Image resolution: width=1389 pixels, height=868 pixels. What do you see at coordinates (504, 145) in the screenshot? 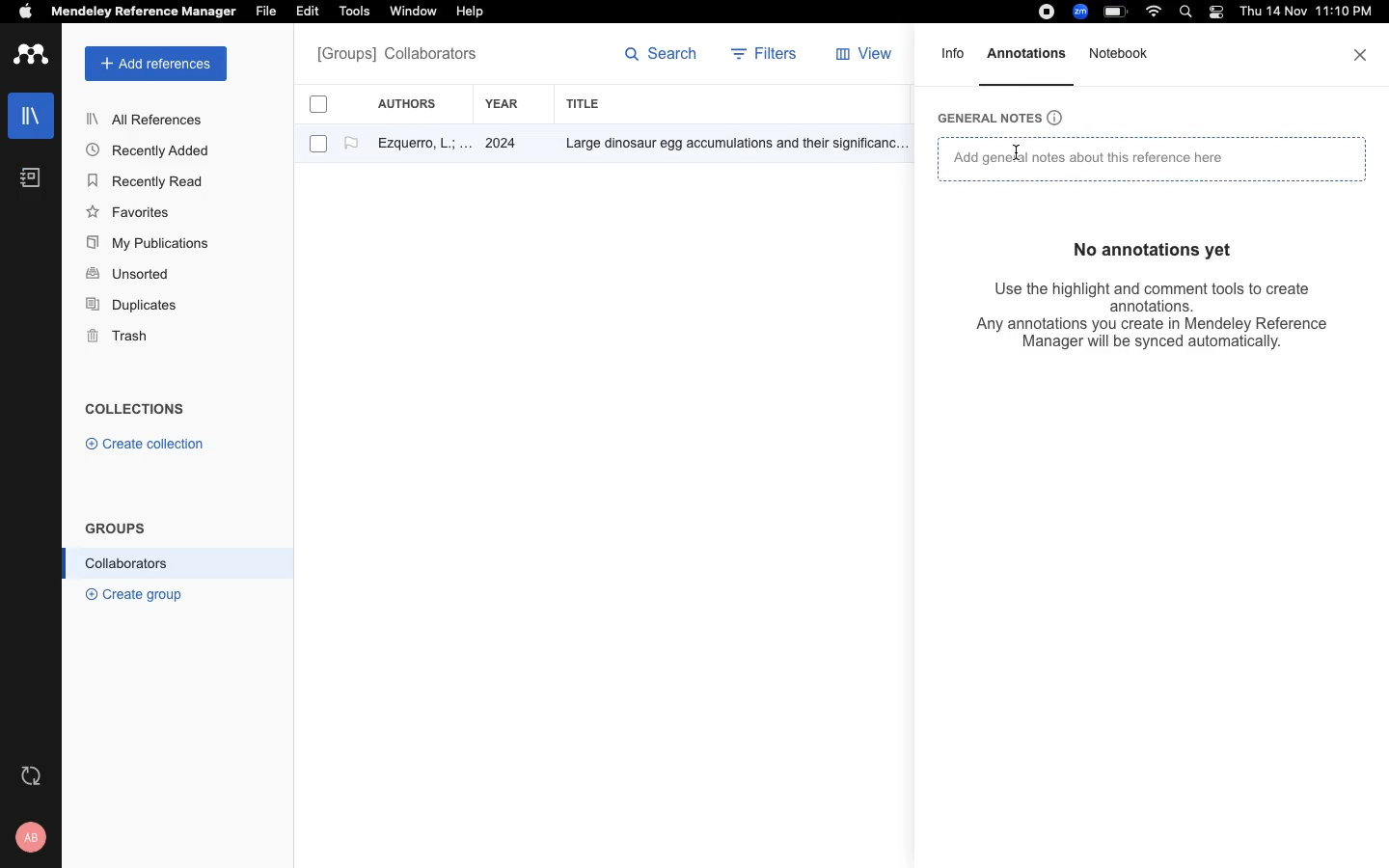
I see `2024` at bounding box center [504, 145].